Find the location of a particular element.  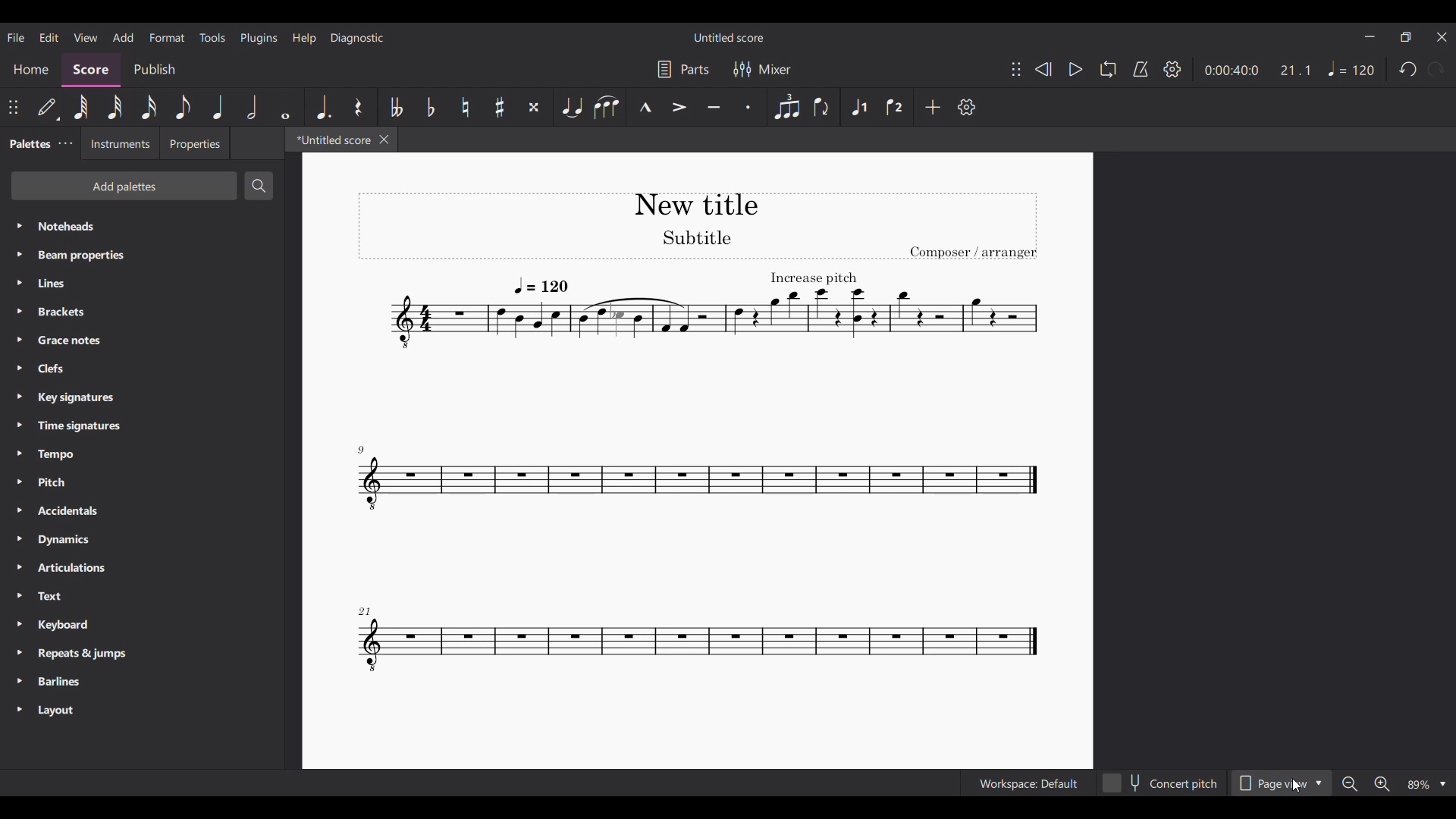

Instruments is located at coordinates (118, 143).